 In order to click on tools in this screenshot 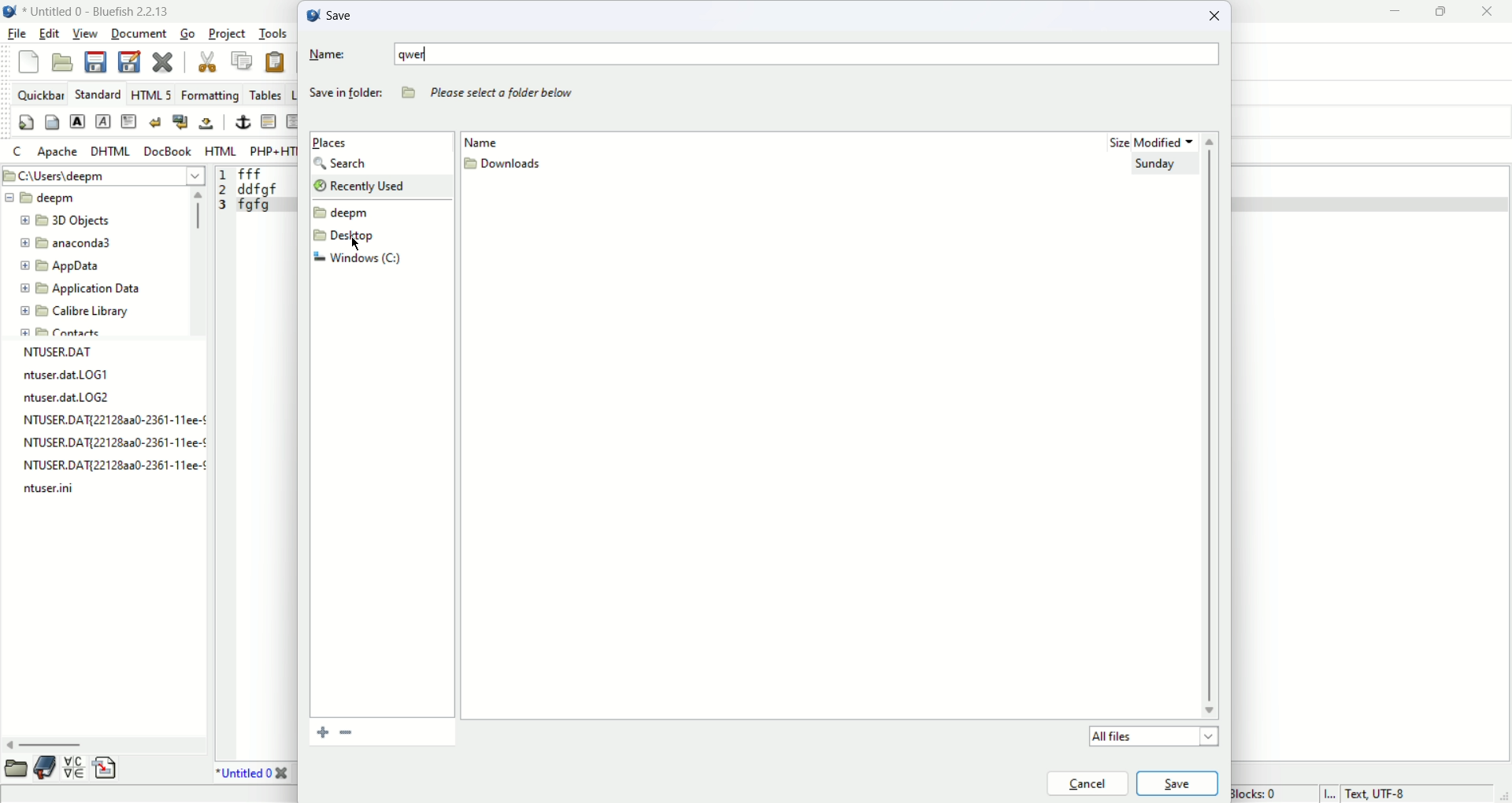, I will do `click(272, 34)`.